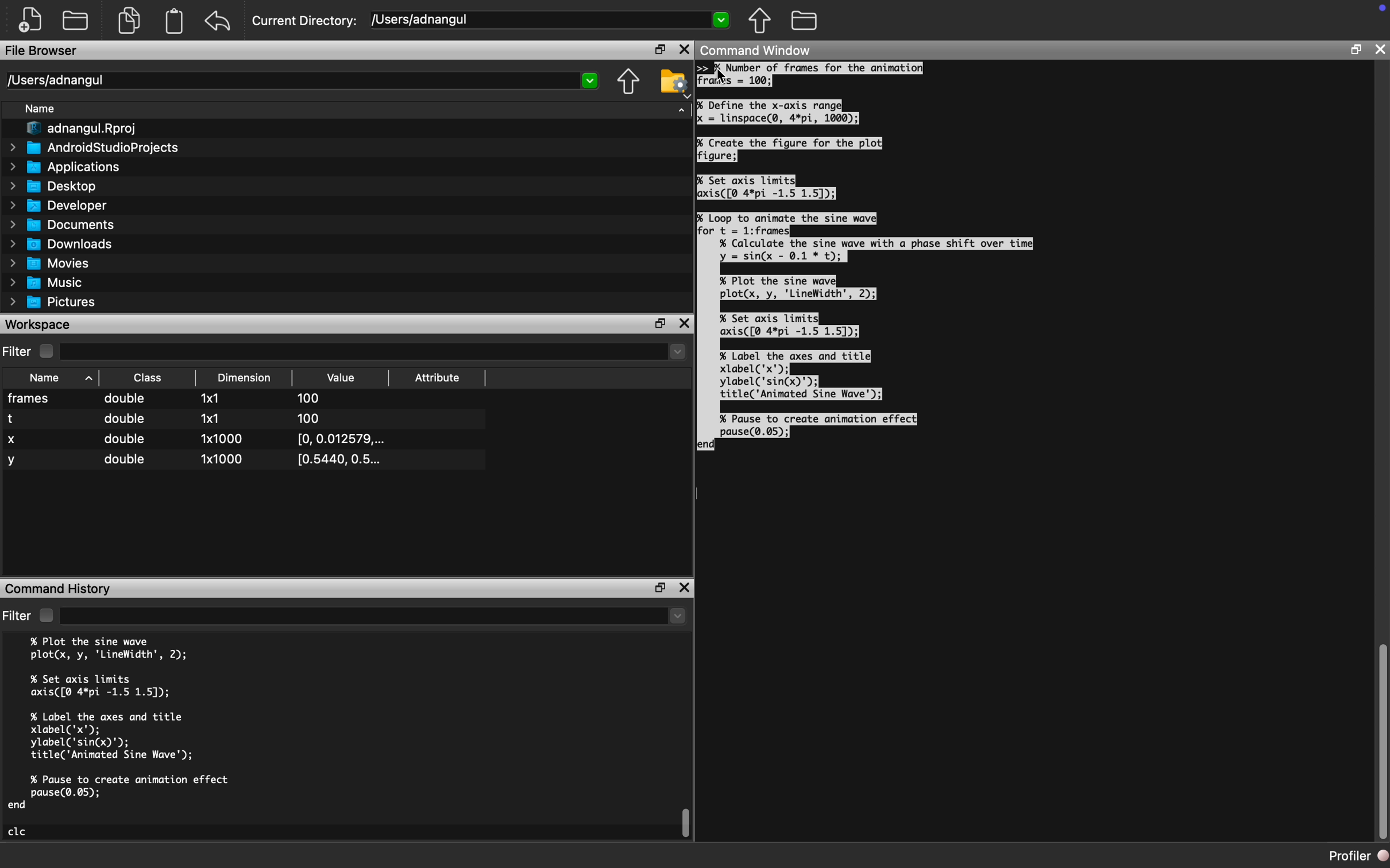  Describe the element at coordinates (374, 351) in the screenshot. I see `Dropdown` at that location.